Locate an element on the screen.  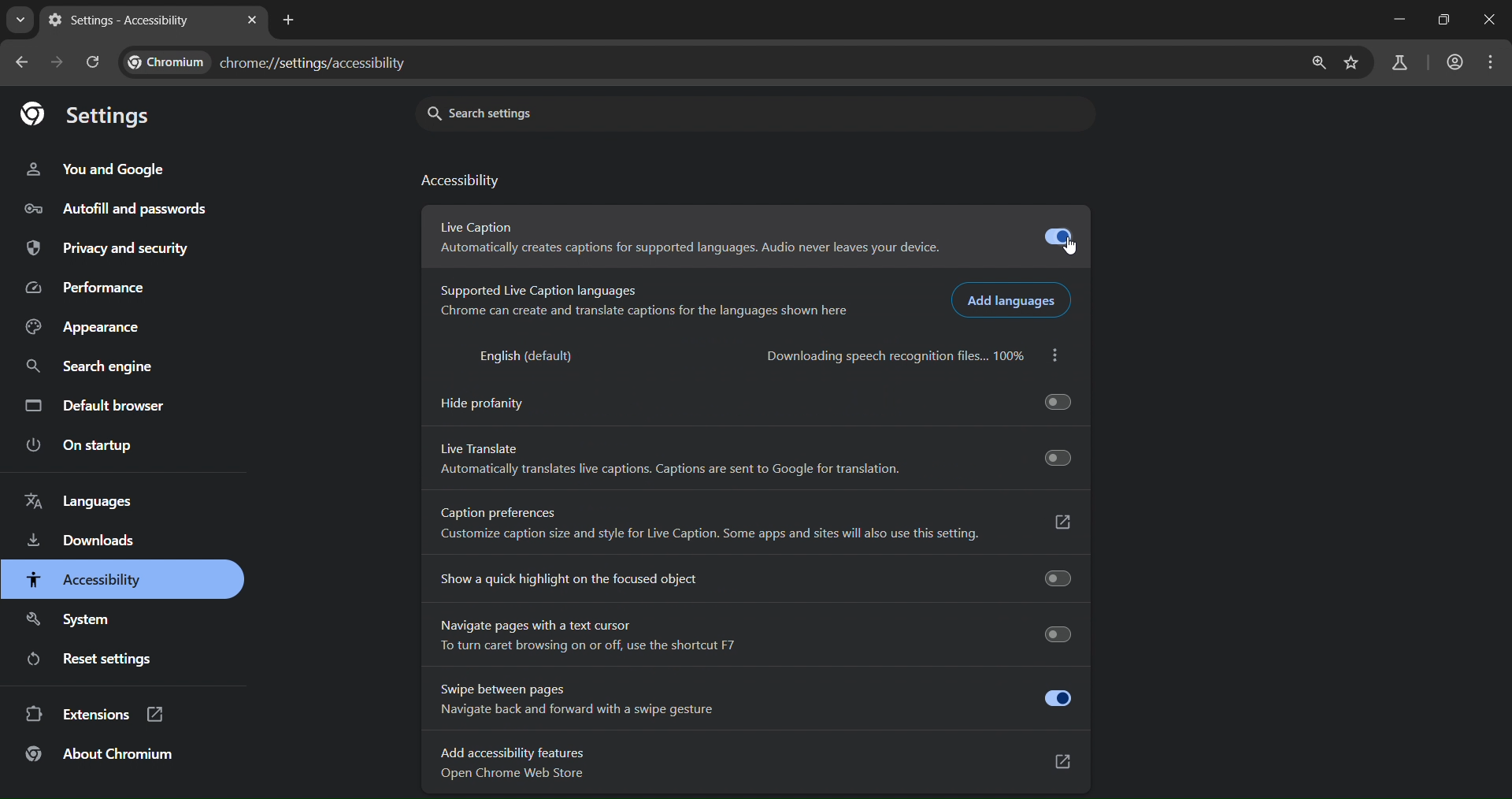
add languages is located at coordinates (1013, 301).